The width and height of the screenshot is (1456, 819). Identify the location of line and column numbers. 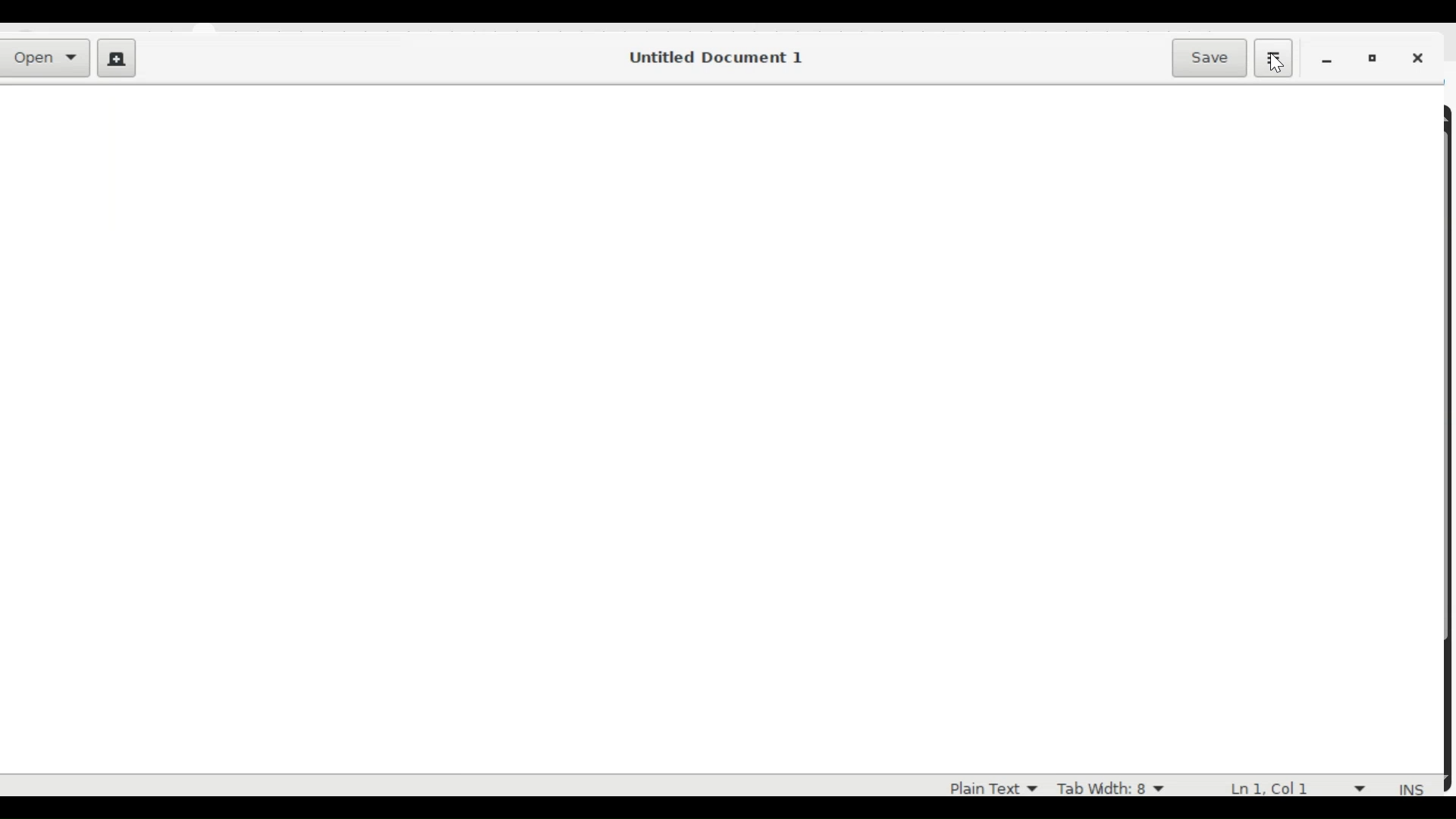
(1302, 786).